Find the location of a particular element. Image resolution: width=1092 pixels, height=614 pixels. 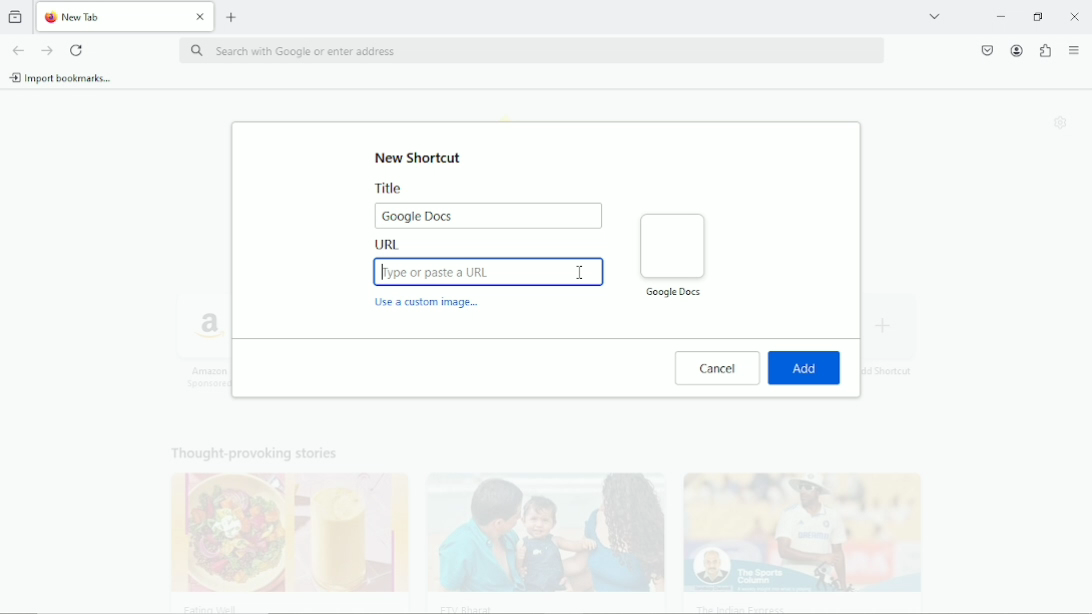

new tab is located at coordinates (232, 16).